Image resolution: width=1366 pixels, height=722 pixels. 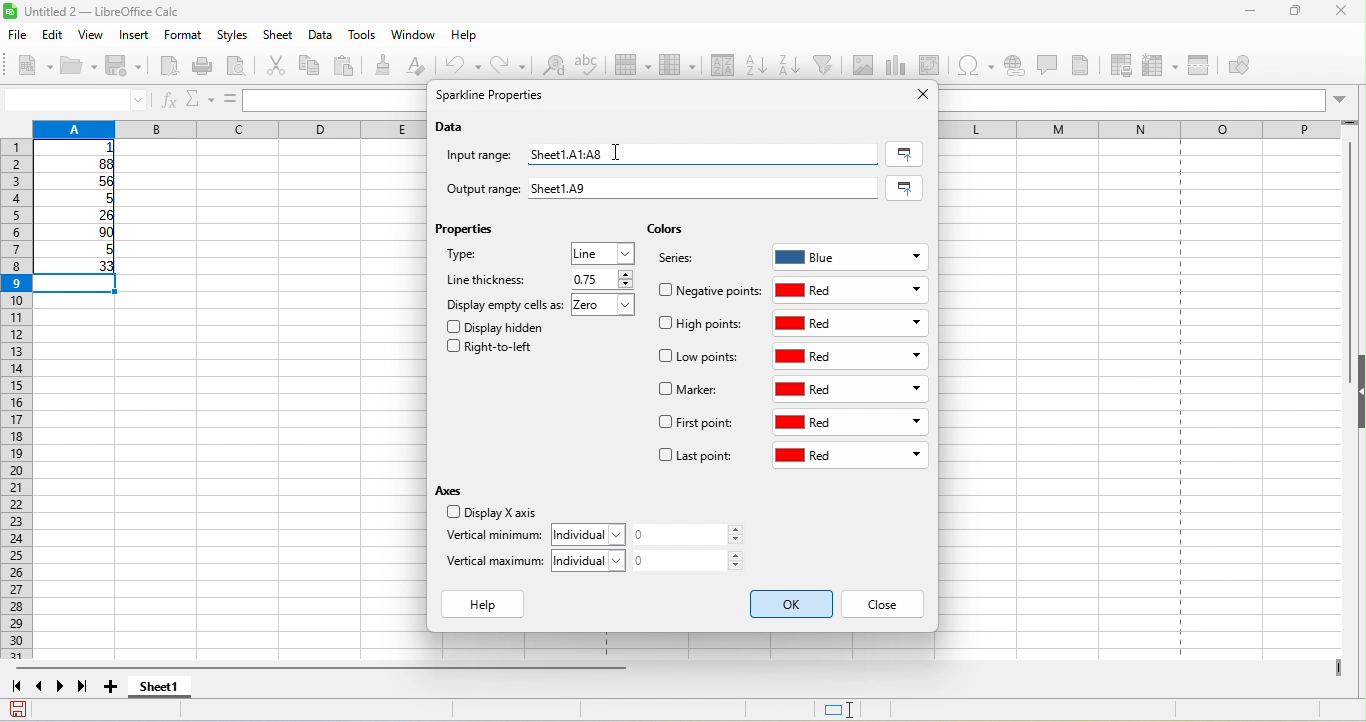 I want to click on red, so click(x=853, y=290).